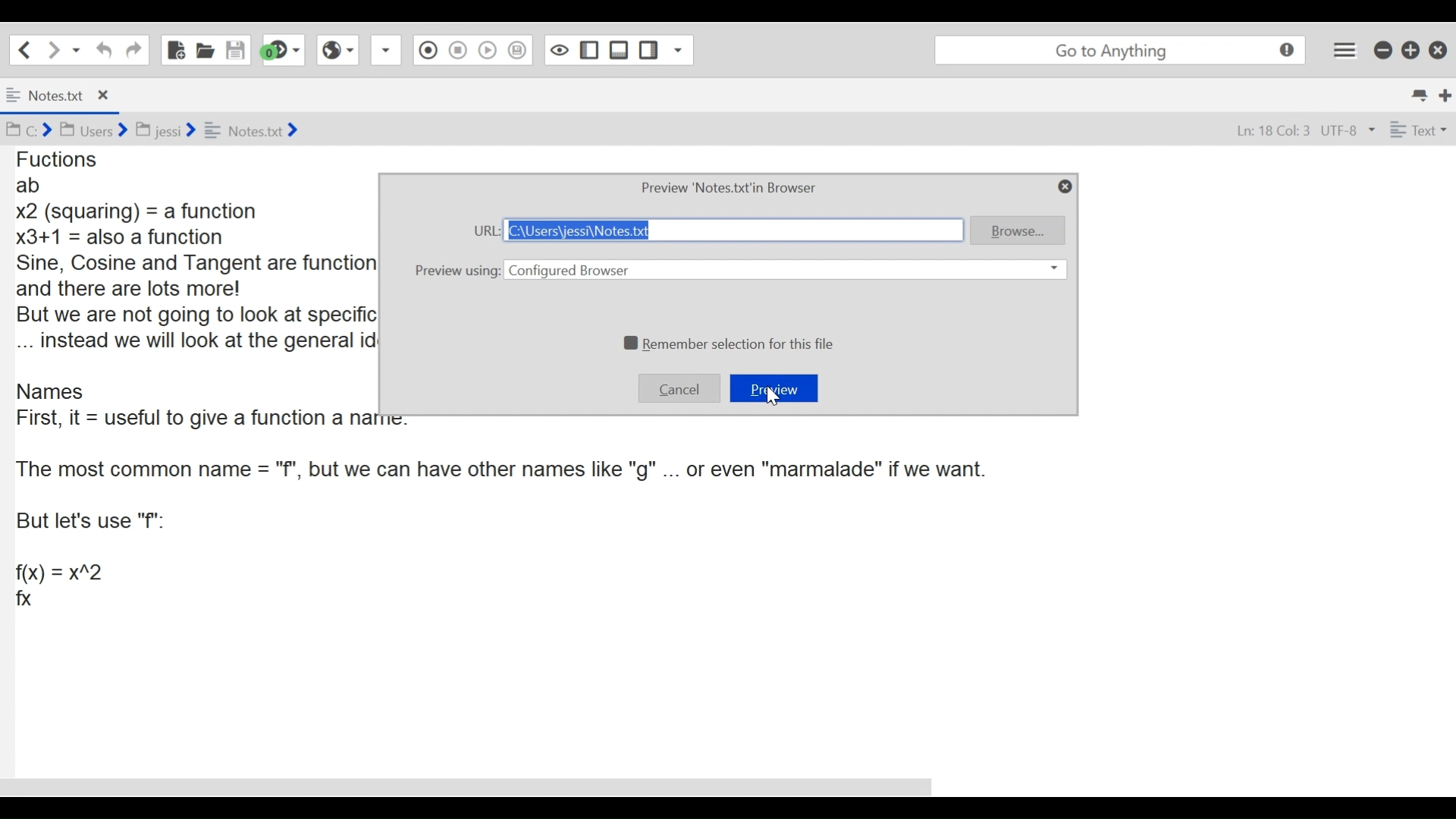 The image size is (1456, 819). Describe the element at coordinates (45, 94) in the screenshot. I see `Notes.txt` at that location.